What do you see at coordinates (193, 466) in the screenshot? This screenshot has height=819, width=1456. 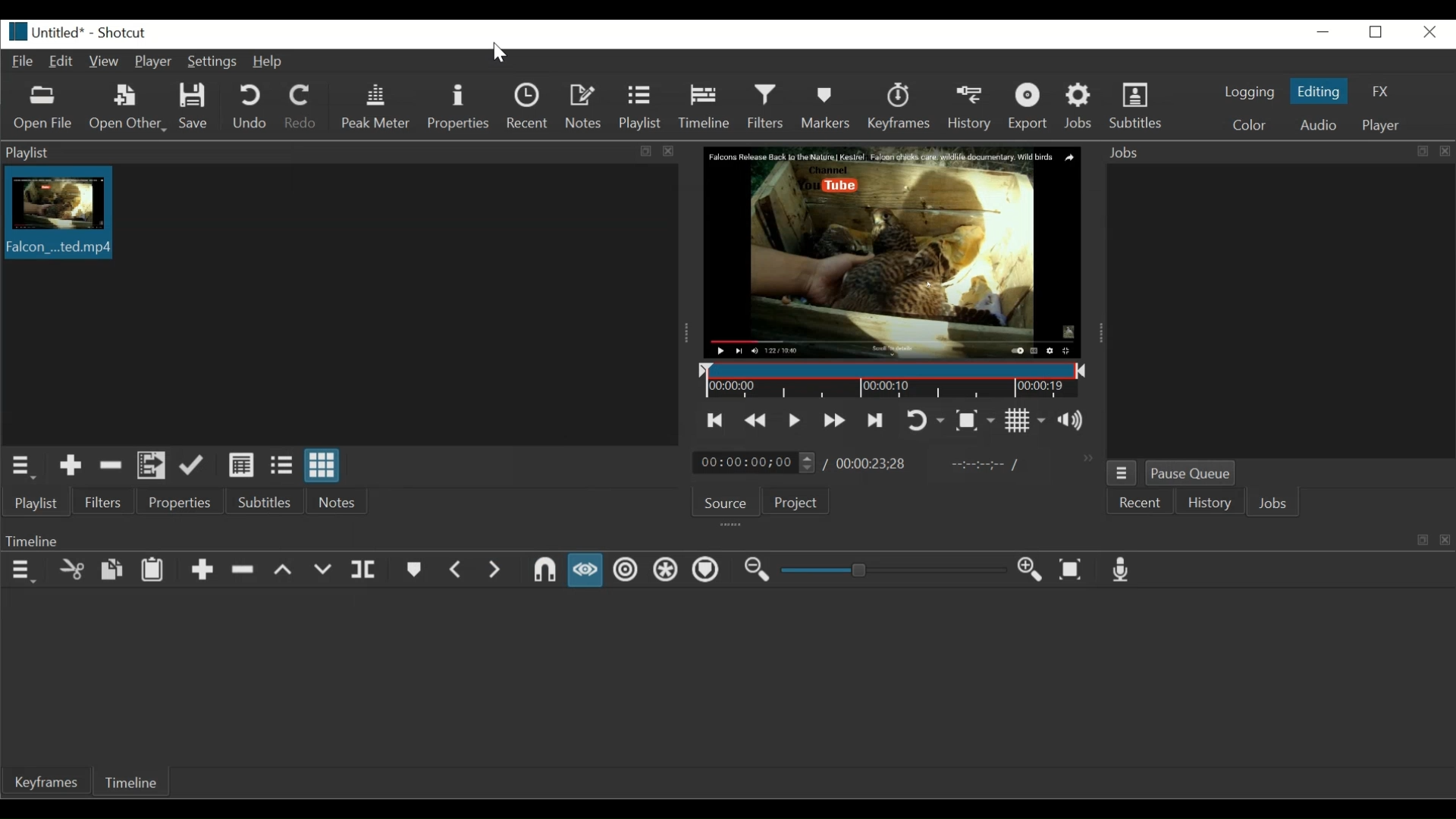 I see `Update` at bounding box center [193, 466].